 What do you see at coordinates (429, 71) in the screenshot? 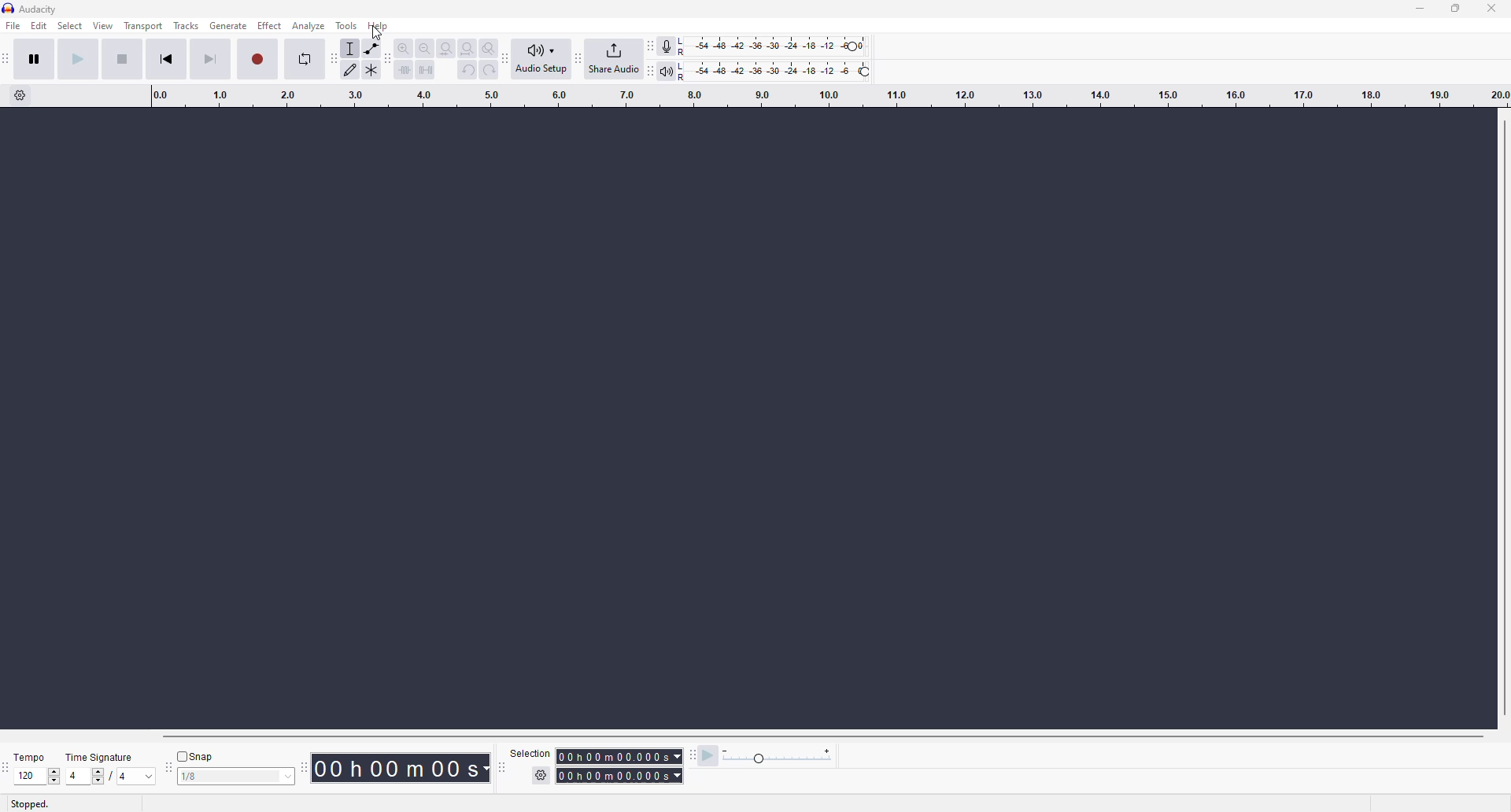
I see `silence audio selection` at bounding box center [429, 71].